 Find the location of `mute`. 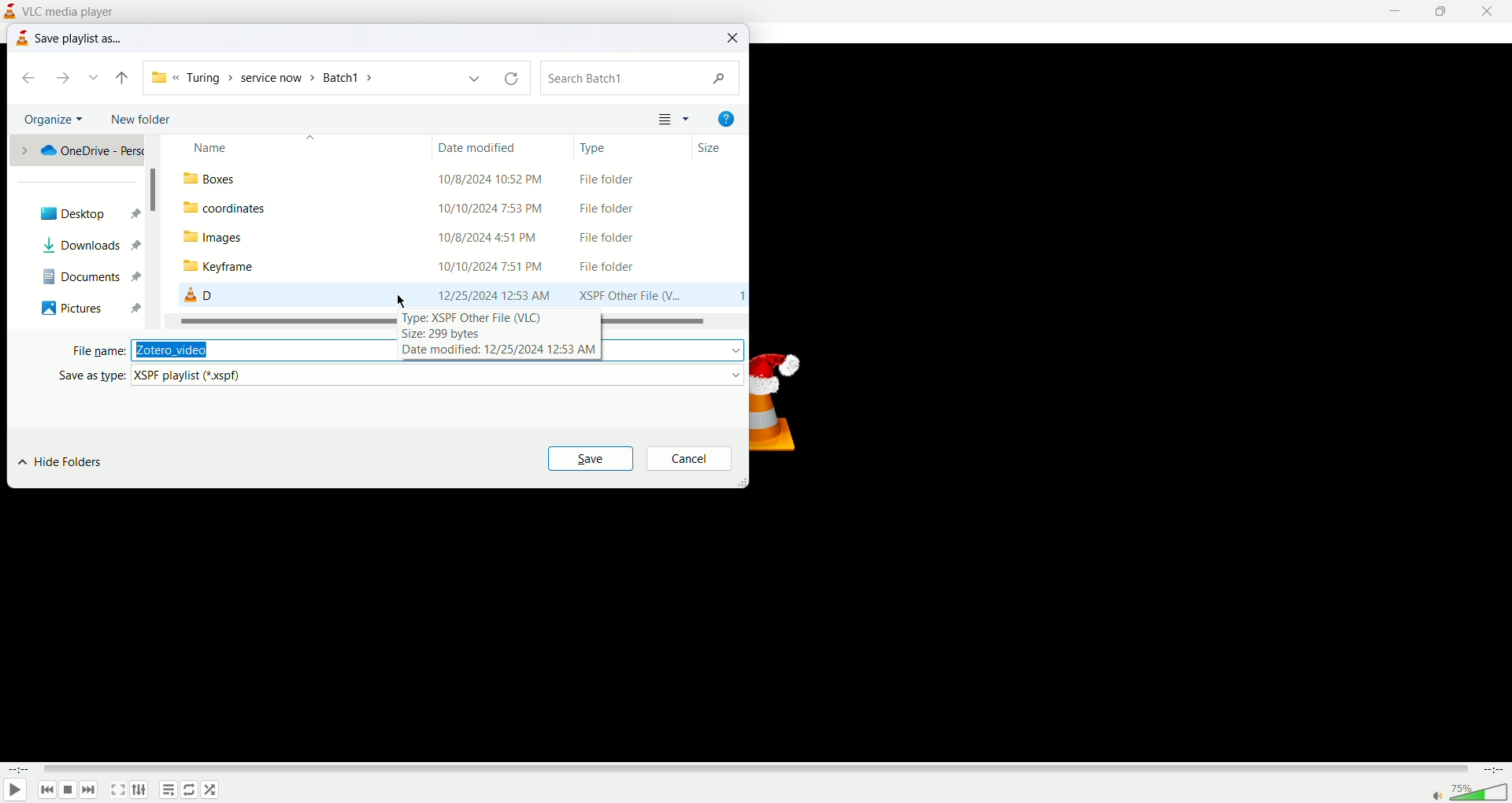

mute is located at coordinates (1439, 797).